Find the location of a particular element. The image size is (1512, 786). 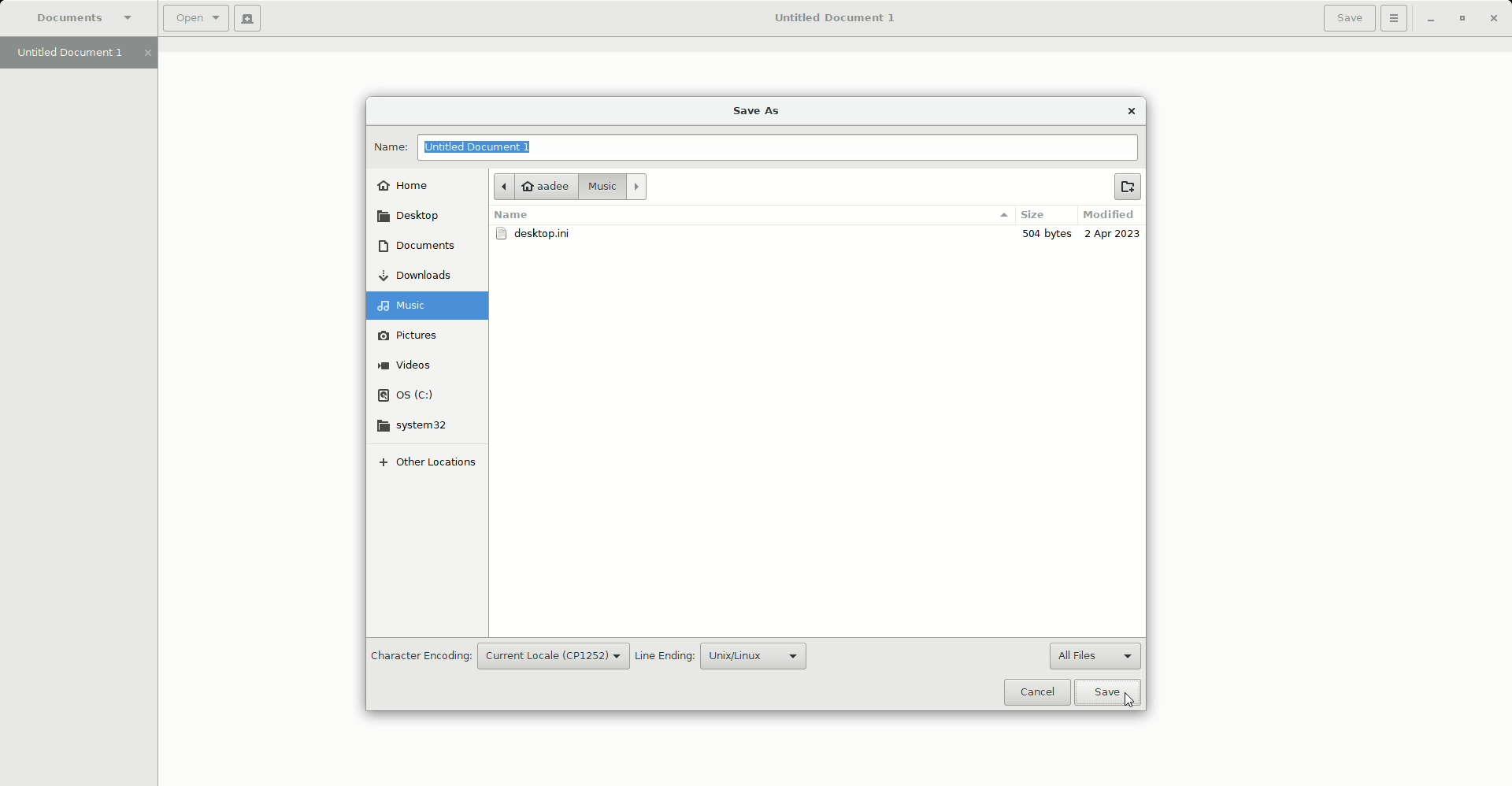

Cursor is located at coordinates (1130, 701).